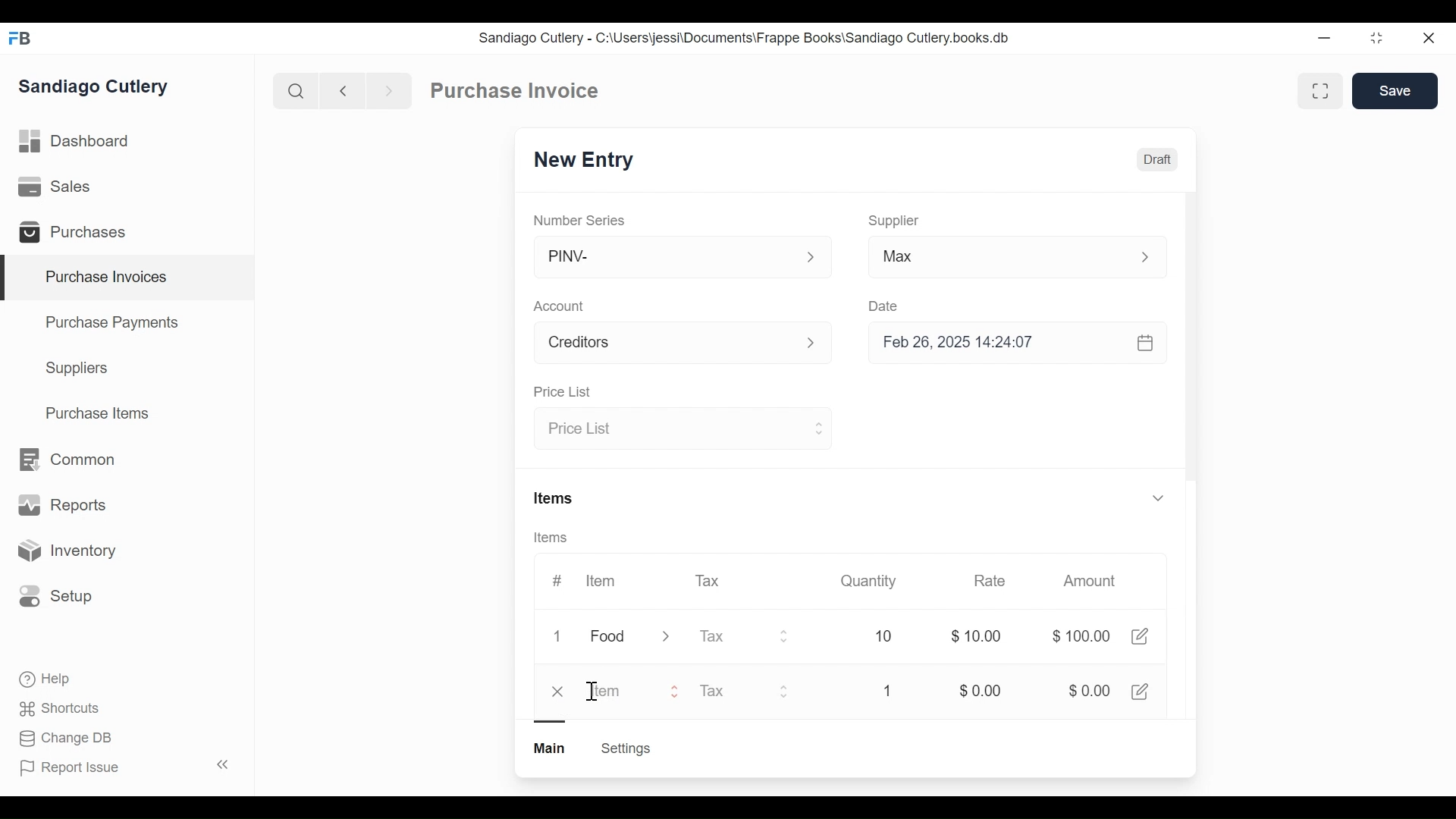 This screenshot has width=1456, height=819. I want to click on Sandiago Cutlery - C:\Users\jessi\Documents\Frappe Books\Sandiago Cutlery.books.db, so click(745, 38).